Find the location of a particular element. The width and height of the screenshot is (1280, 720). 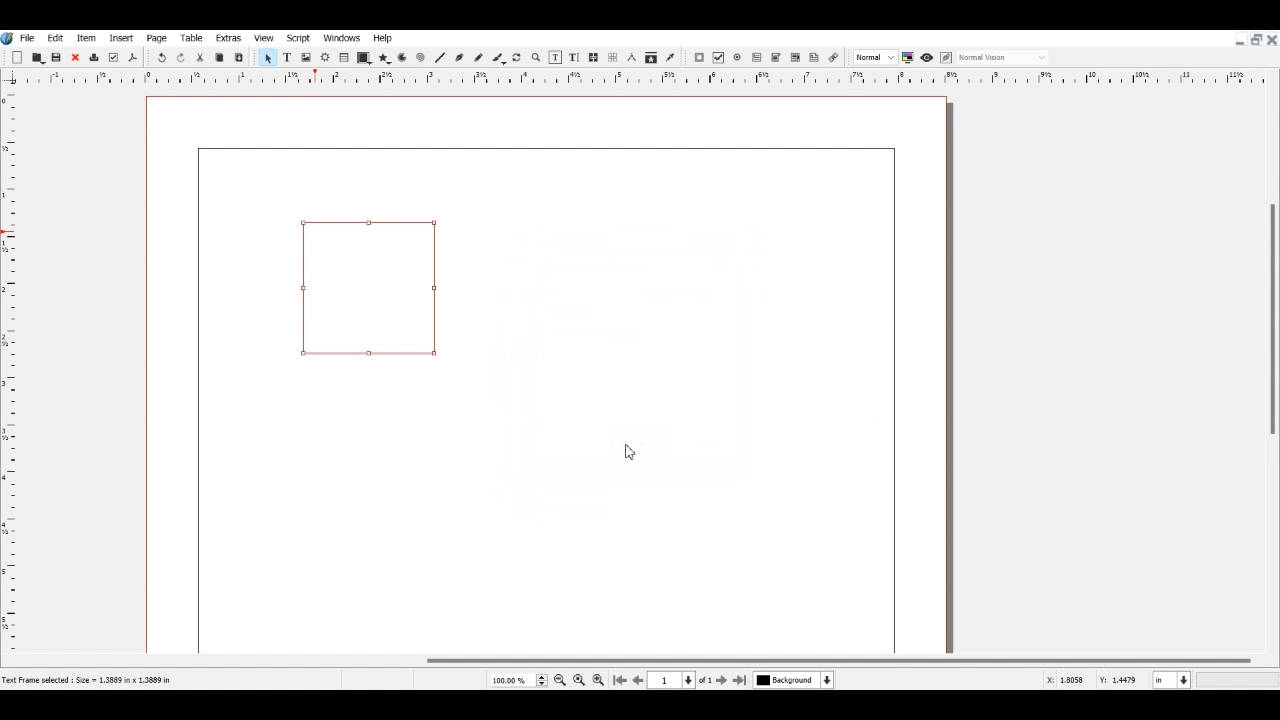

Edit Text is located at coordinates (574, 57).